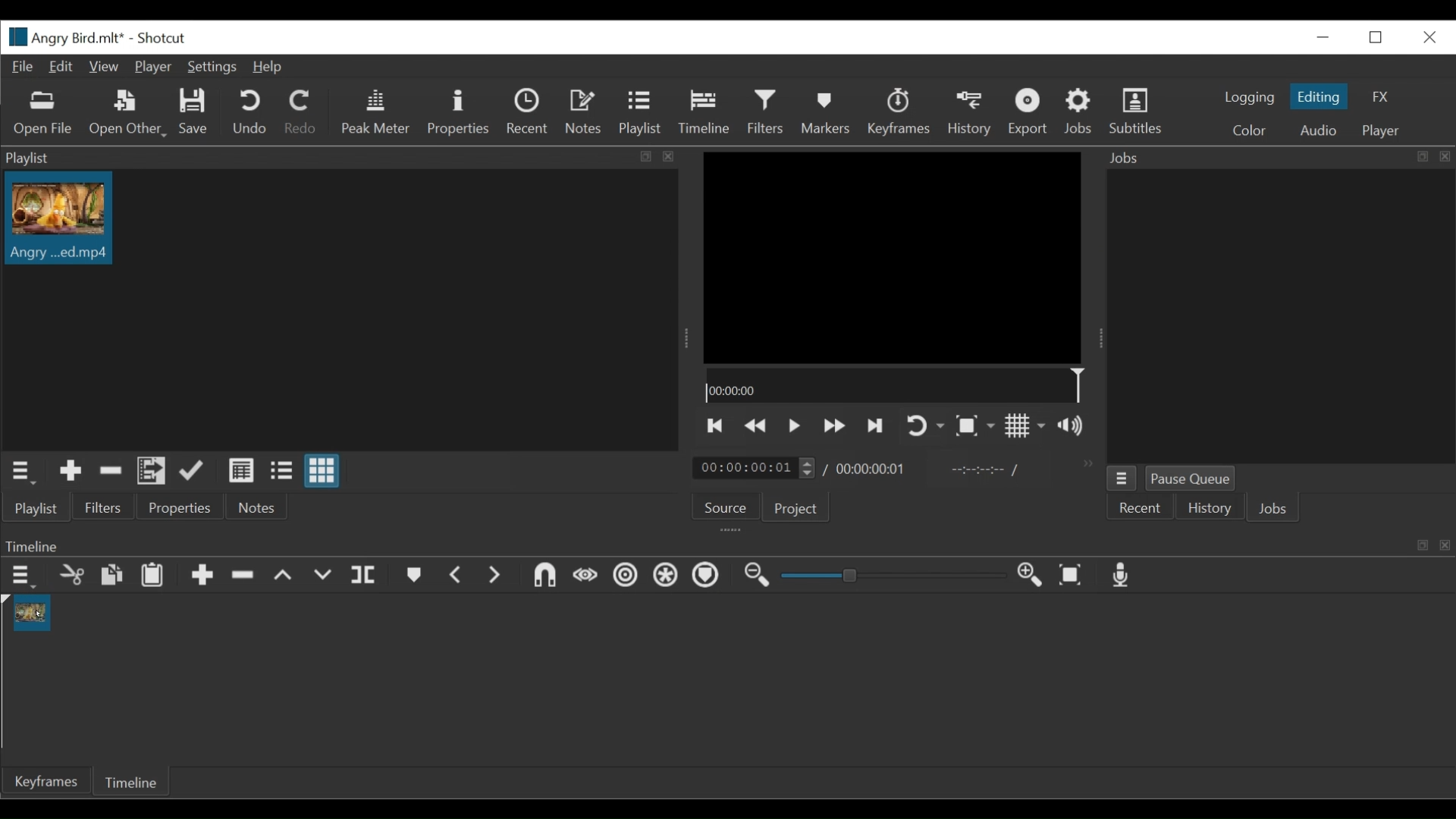 Image resolution: width=1456 pixels, height=819 pixels. Describe the element at coordinates (254, 507) in the screenshot. I see `Notes` at that location.